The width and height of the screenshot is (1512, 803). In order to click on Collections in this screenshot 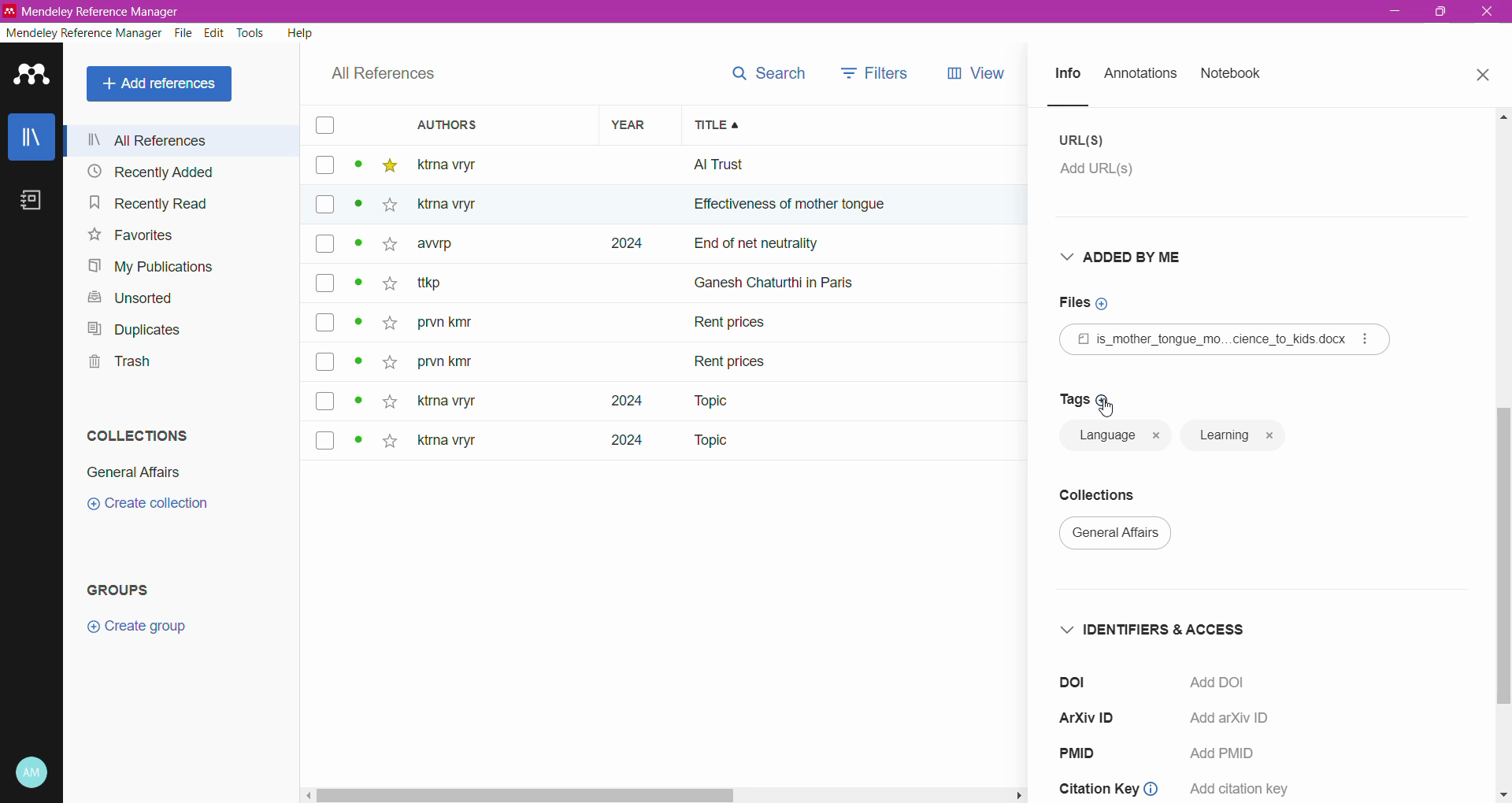, I will do `click(139, 435)`.